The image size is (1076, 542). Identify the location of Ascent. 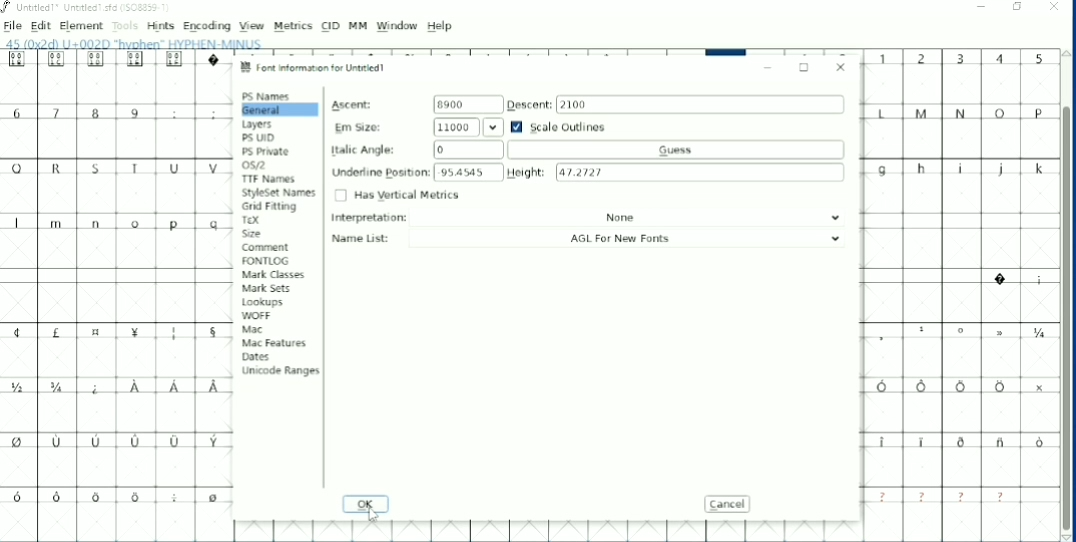
(413, 104).